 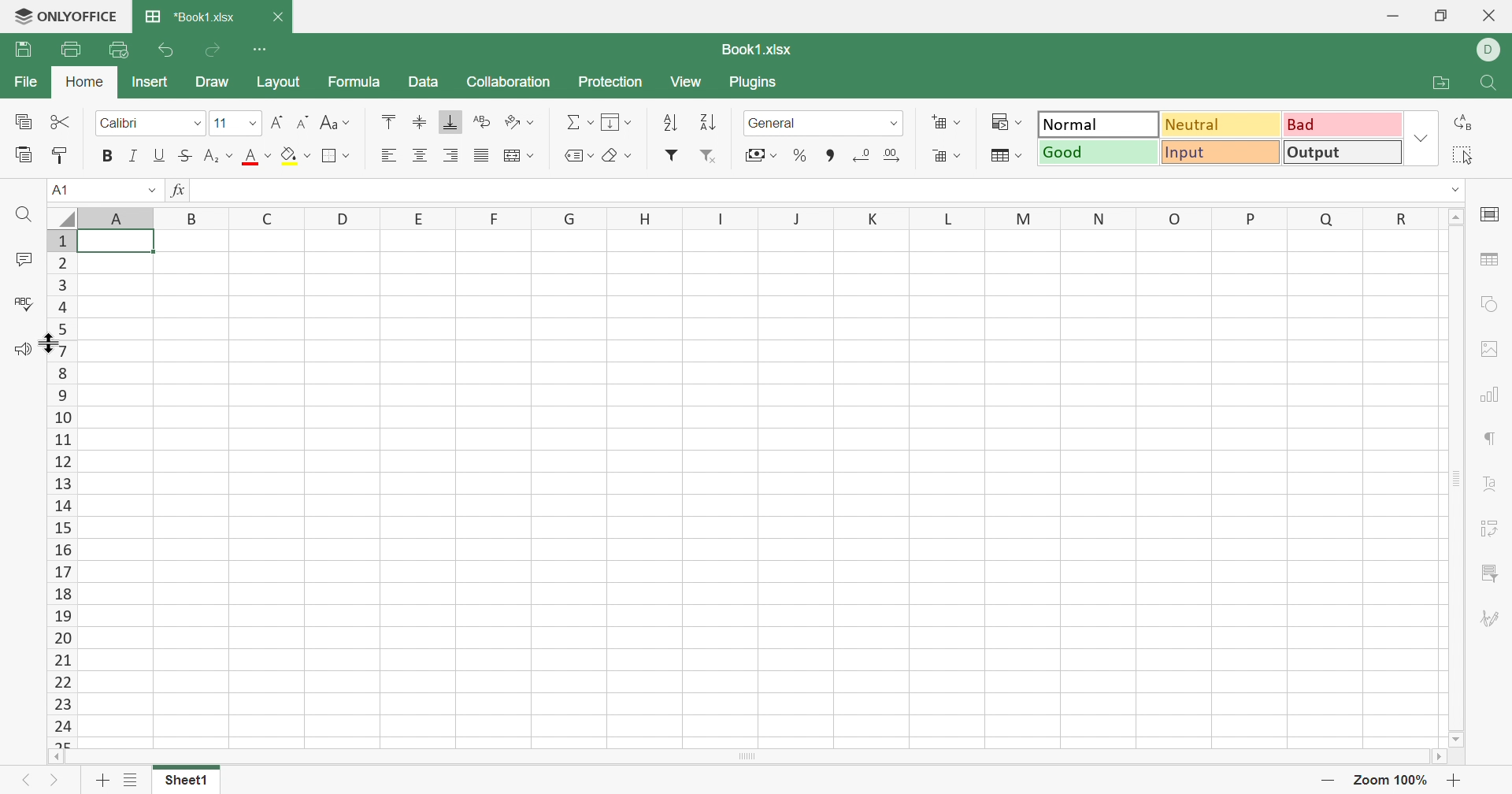 What do you see at coordinates (762, 50) in the screenshot?
I see `Book1.xlsx` at bounding box center [762, 50].